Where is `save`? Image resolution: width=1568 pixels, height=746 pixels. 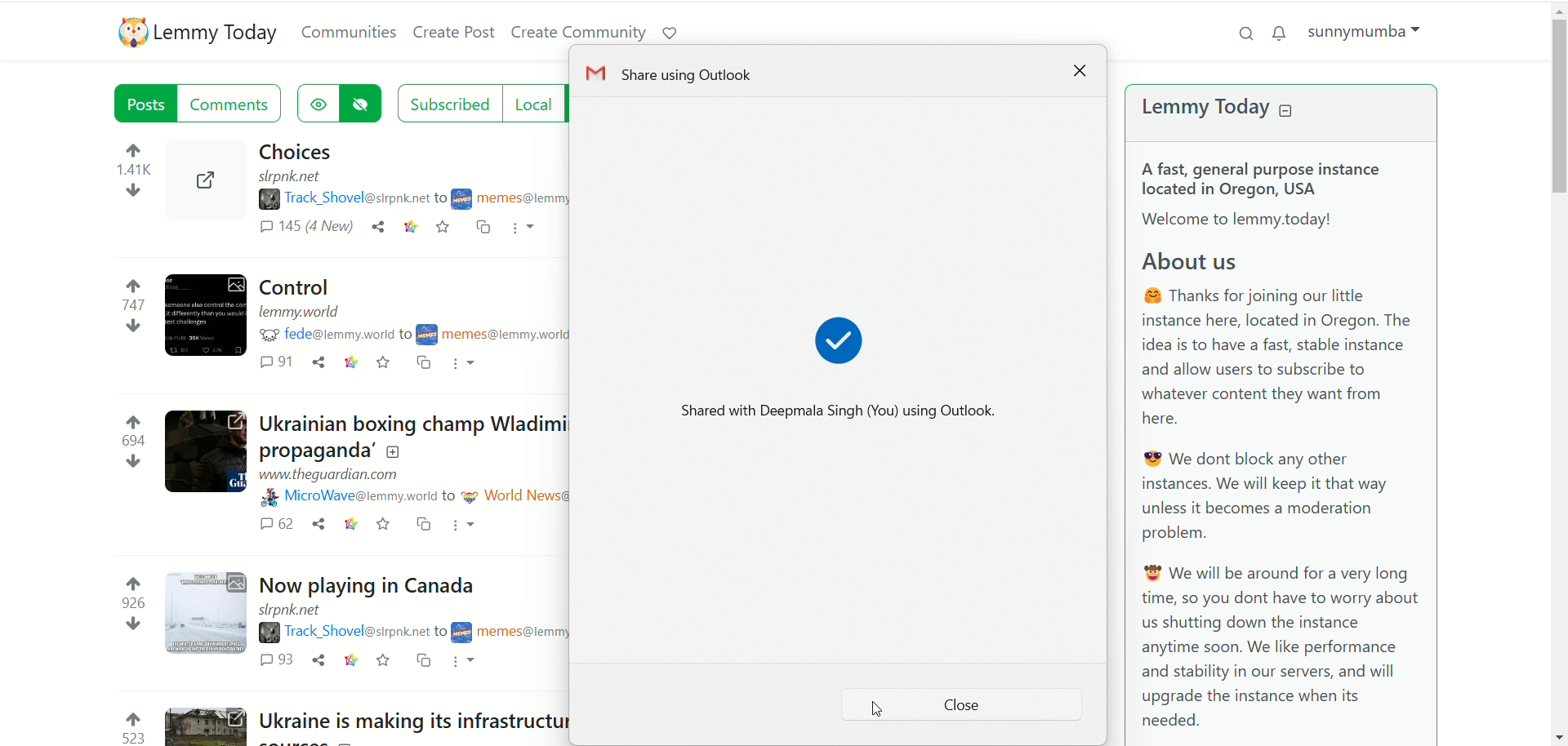
save is located at coordinates (381, 659).